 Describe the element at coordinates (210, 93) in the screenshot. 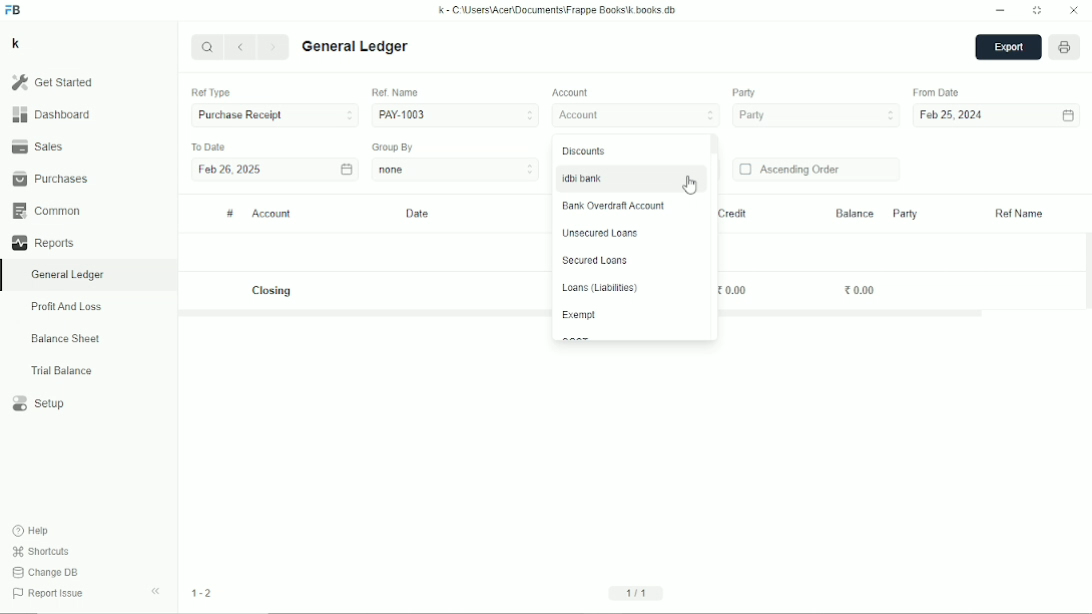

I see `Ref type` at that location.